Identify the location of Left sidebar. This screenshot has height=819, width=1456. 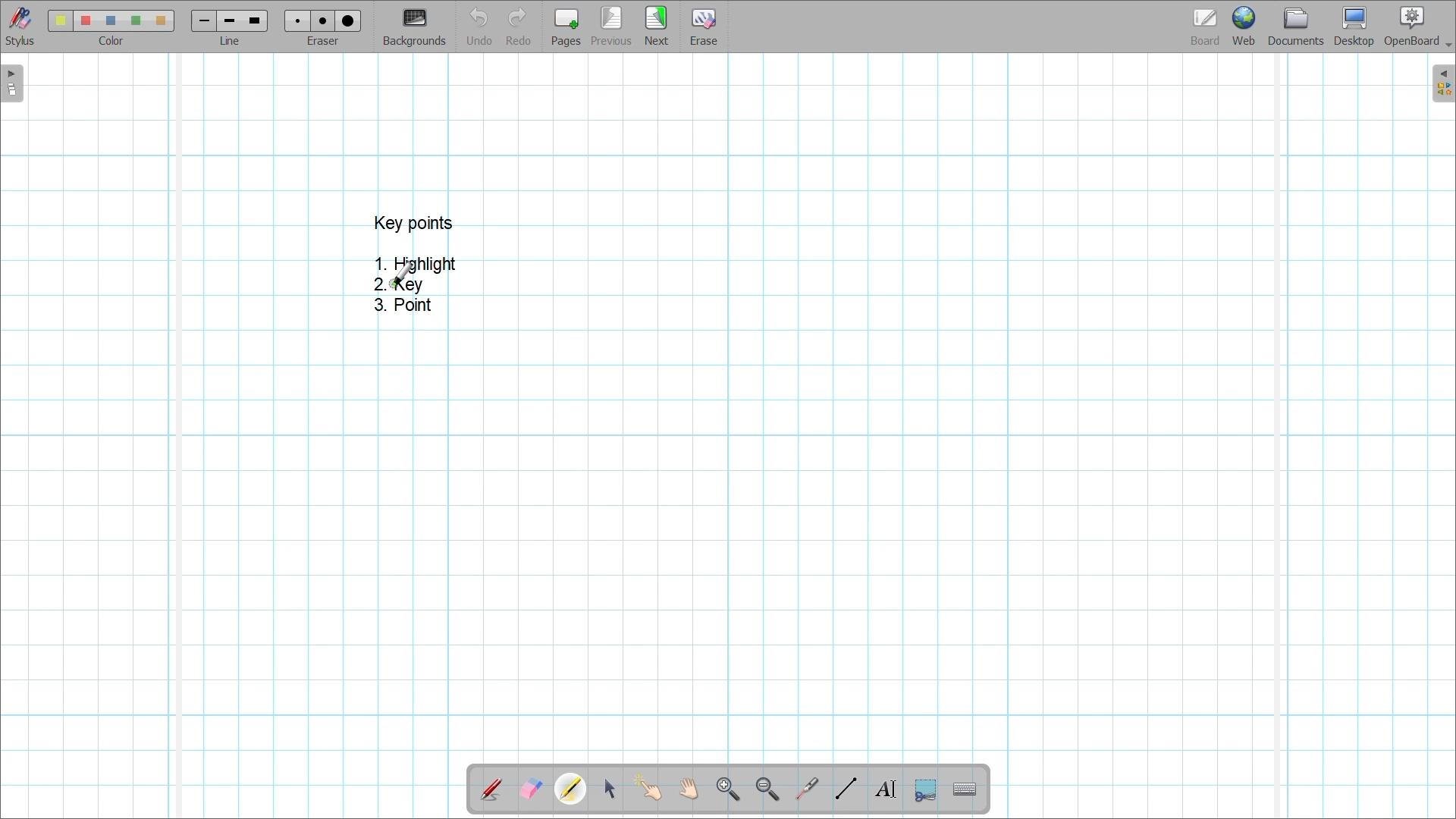
(12, 83).